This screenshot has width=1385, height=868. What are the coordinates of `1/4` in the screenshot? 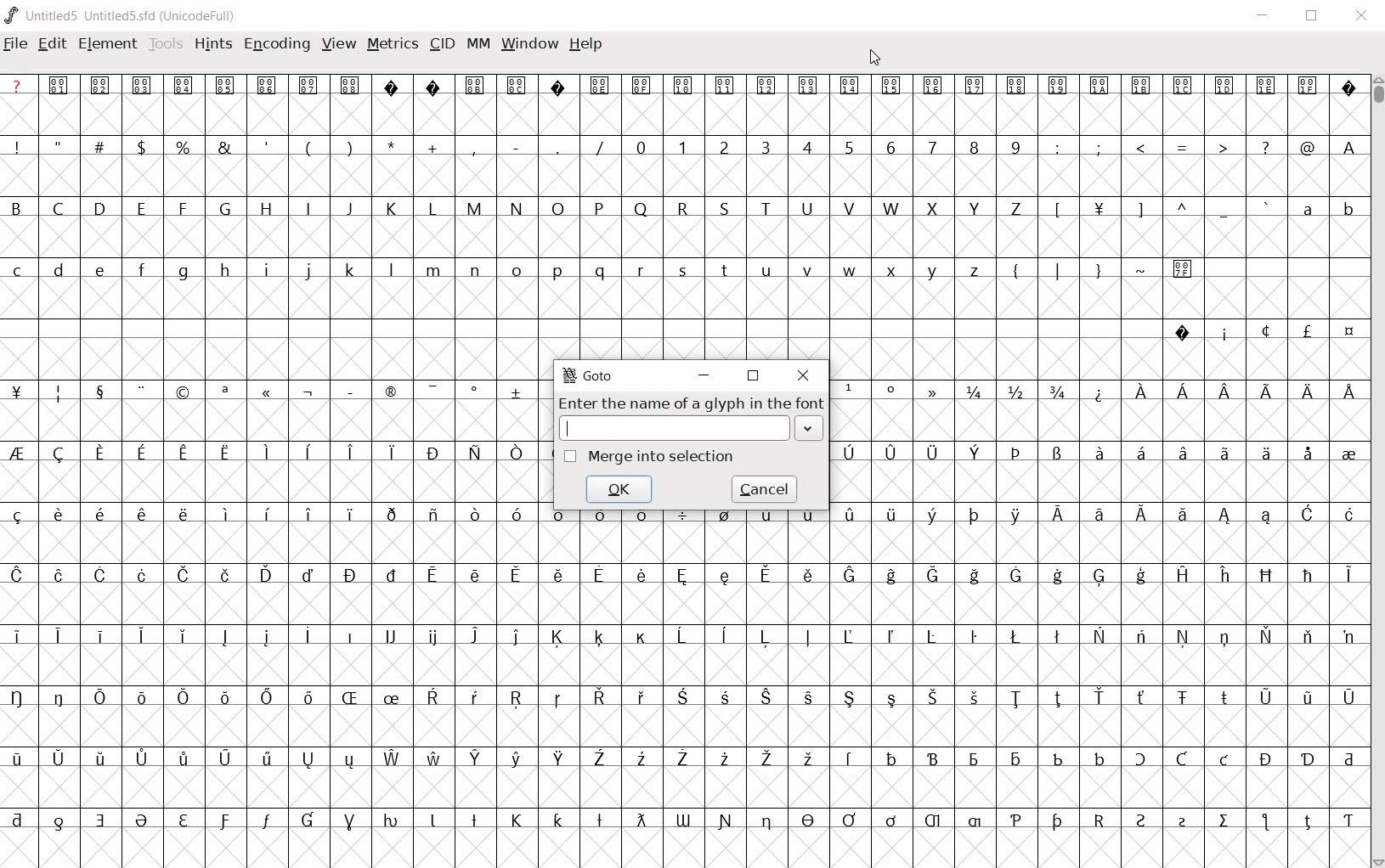 It's located at (974, 392).